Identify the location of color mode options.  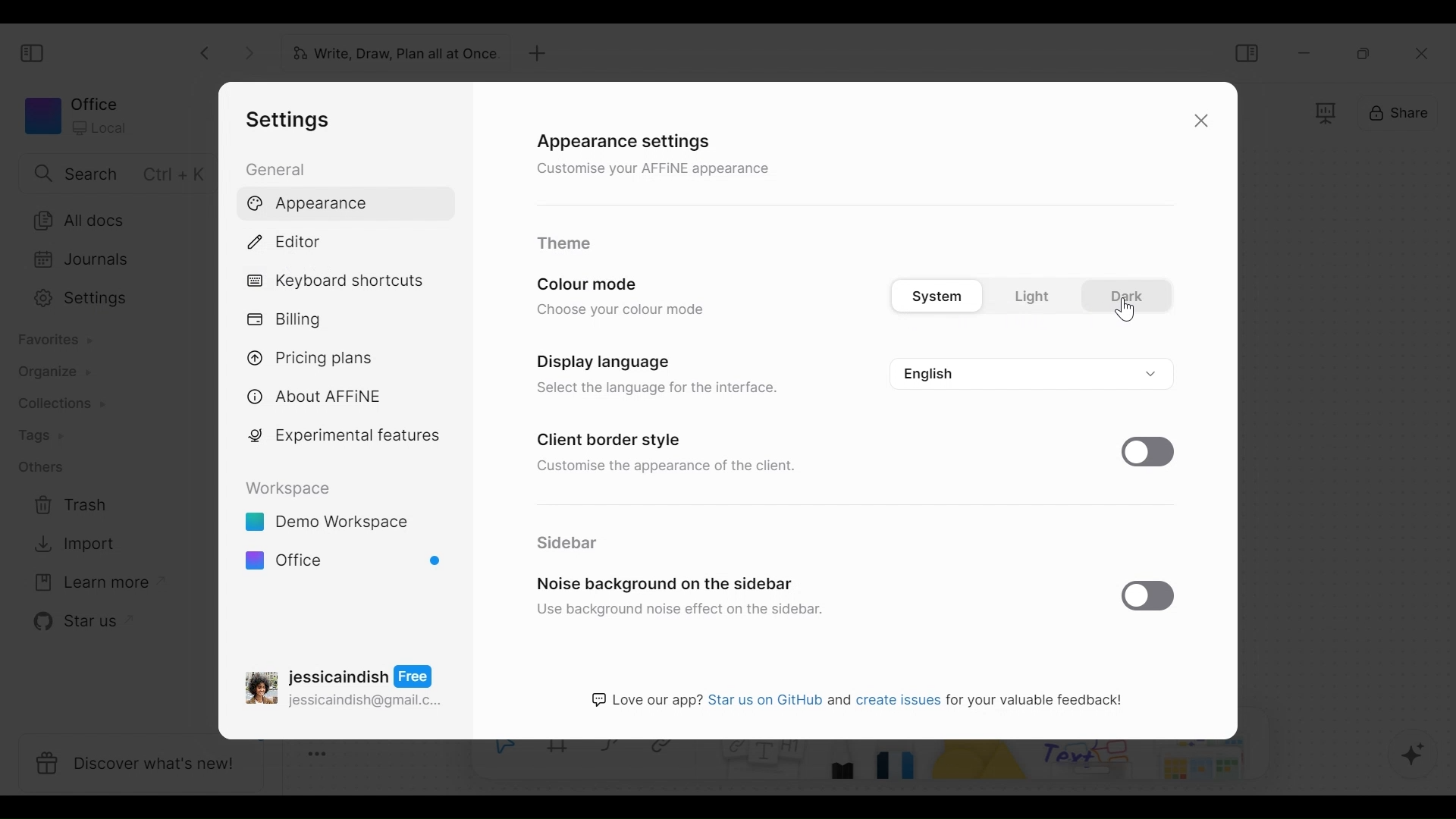
(1031, 298).